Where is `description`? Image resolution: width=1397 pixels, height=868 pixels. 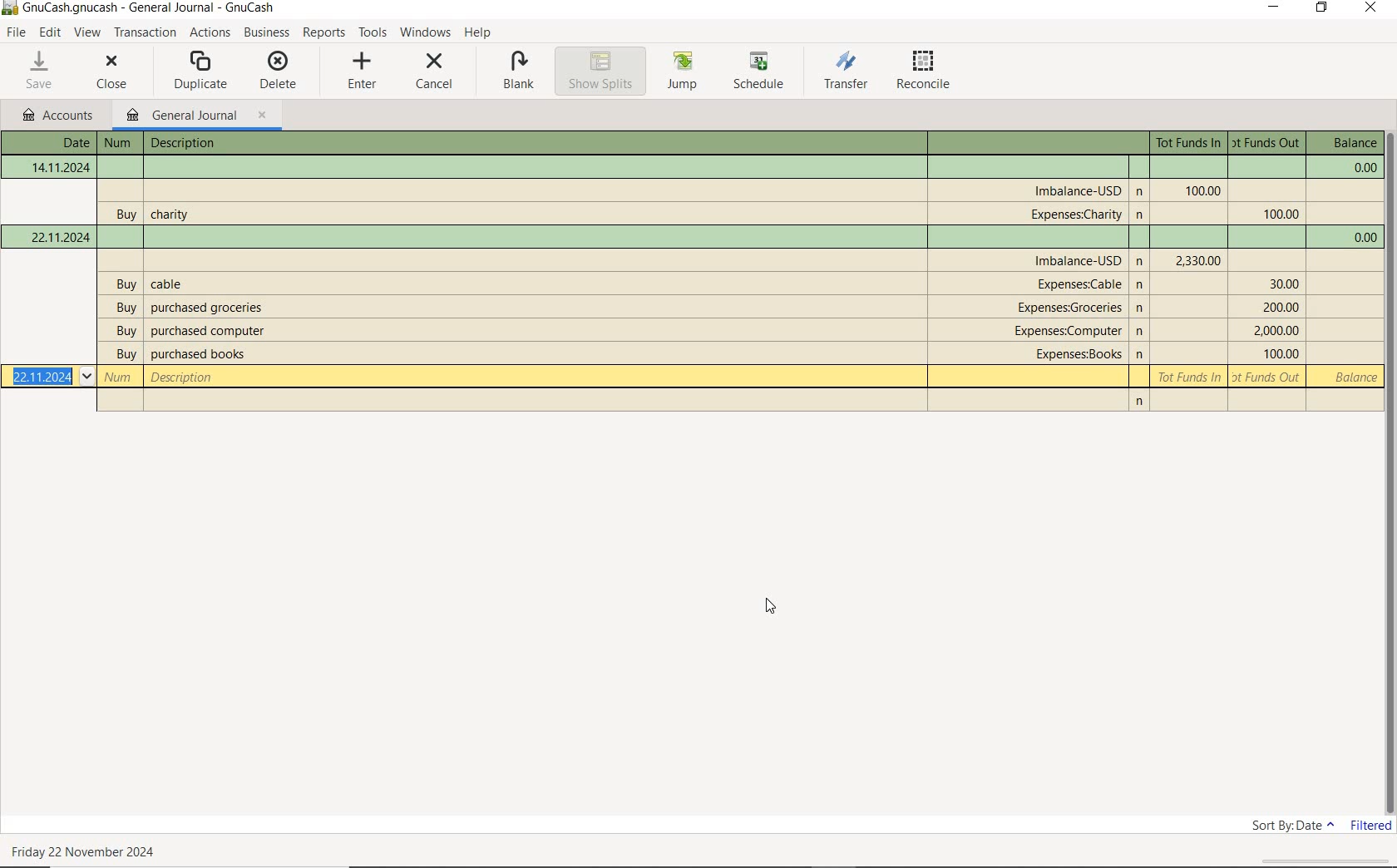 description is located at coordinates (213, 308).